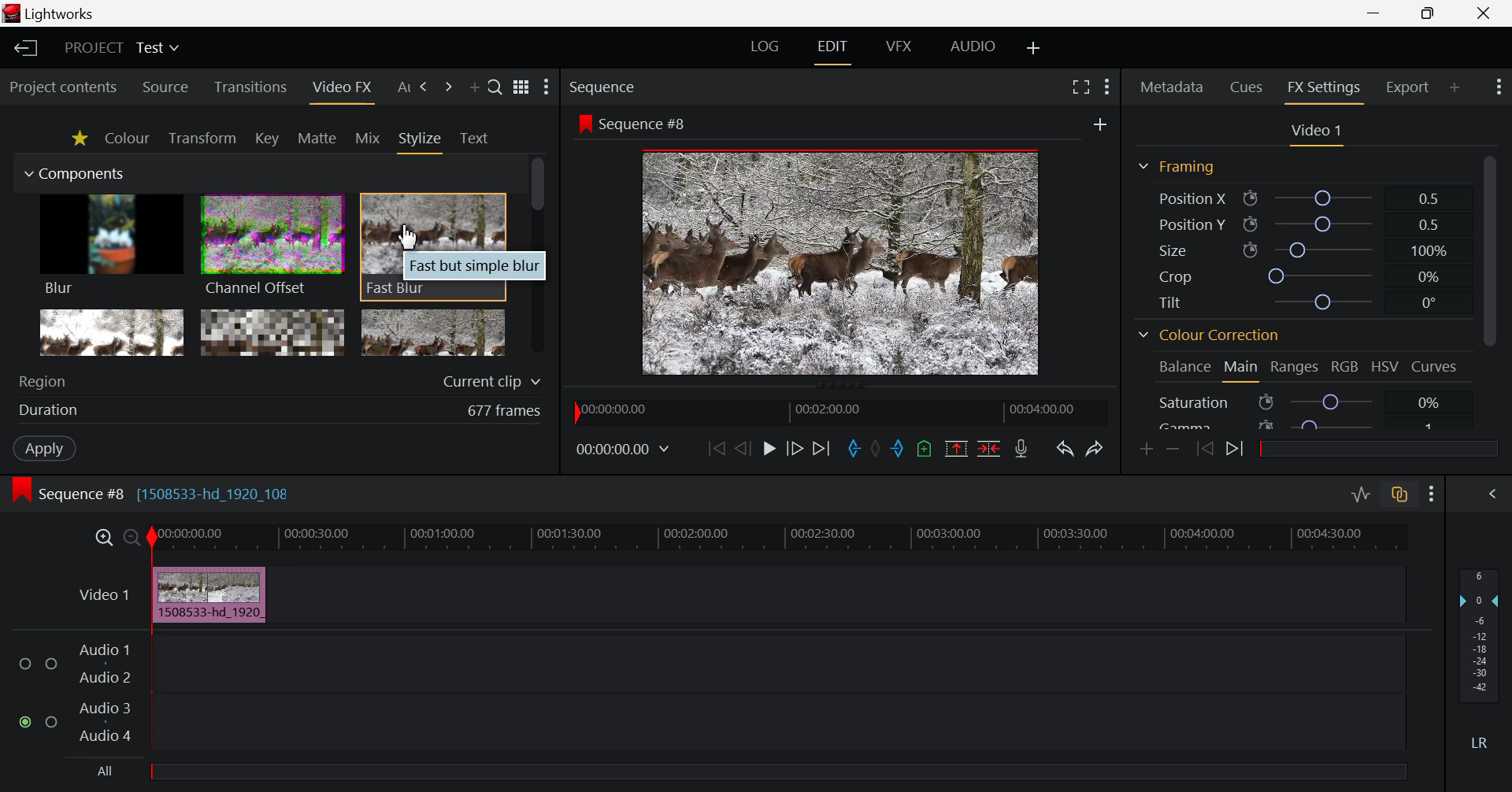  What do you see at coordinates (46, 446) in the screenshot?
I see `Apply` at bounding box center [46, 446].